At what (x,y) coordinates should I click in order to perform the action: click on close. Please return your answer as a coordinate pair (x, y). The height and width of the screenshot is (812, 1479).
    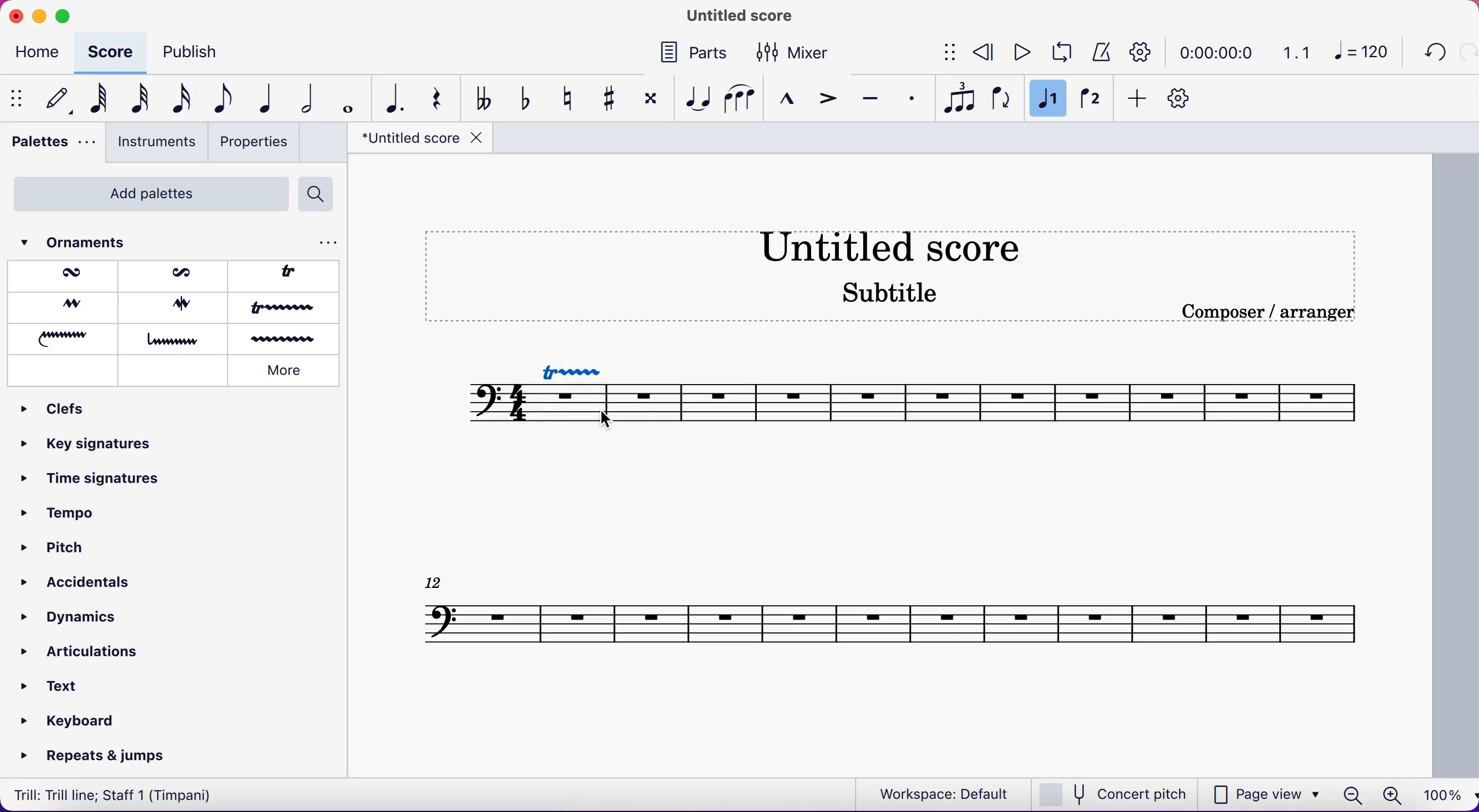
    Looking at the image, I should click on (15, 15).